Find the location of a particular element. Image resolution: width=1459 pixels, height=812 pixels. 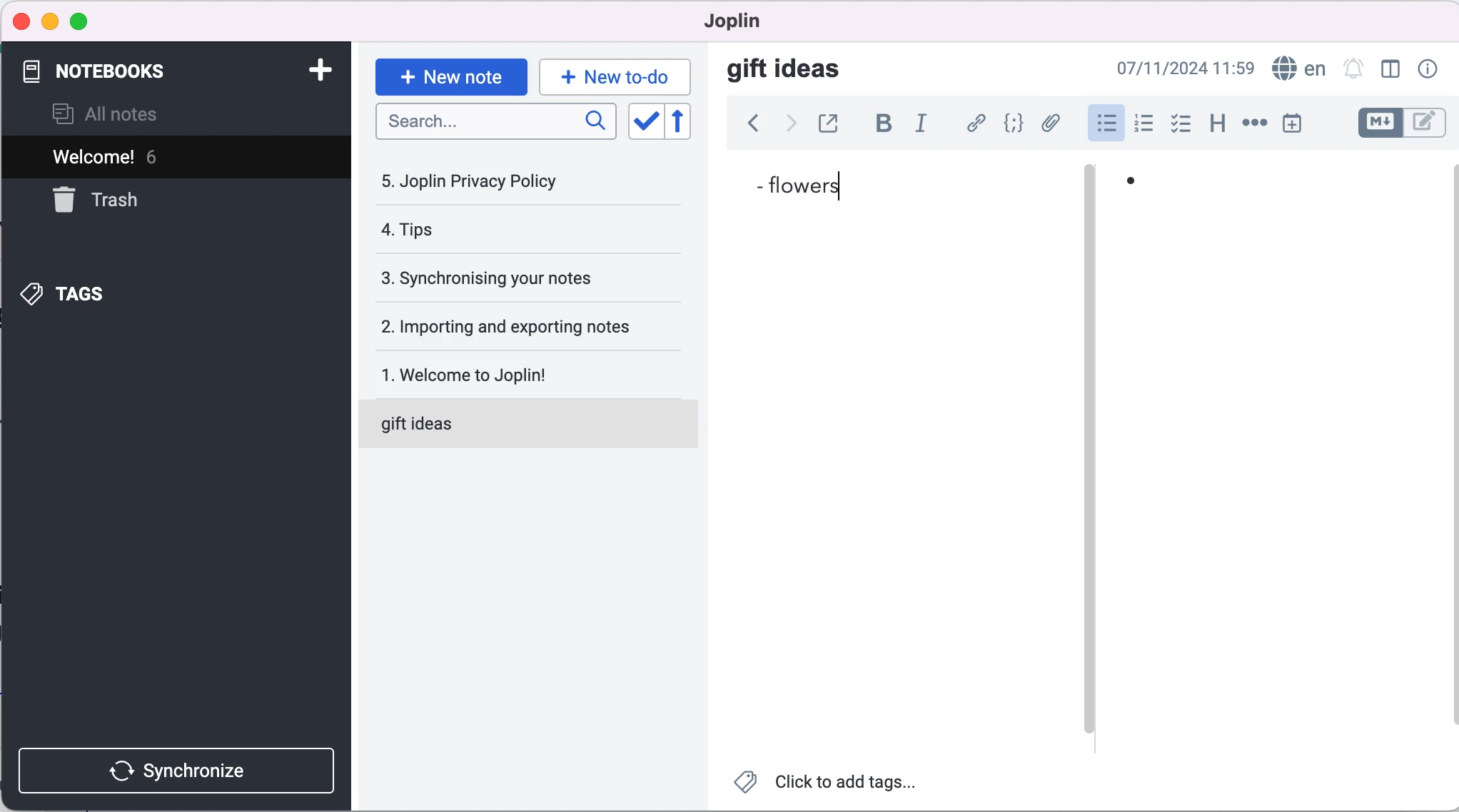

gift ideas is located at coordinates (787, 71).